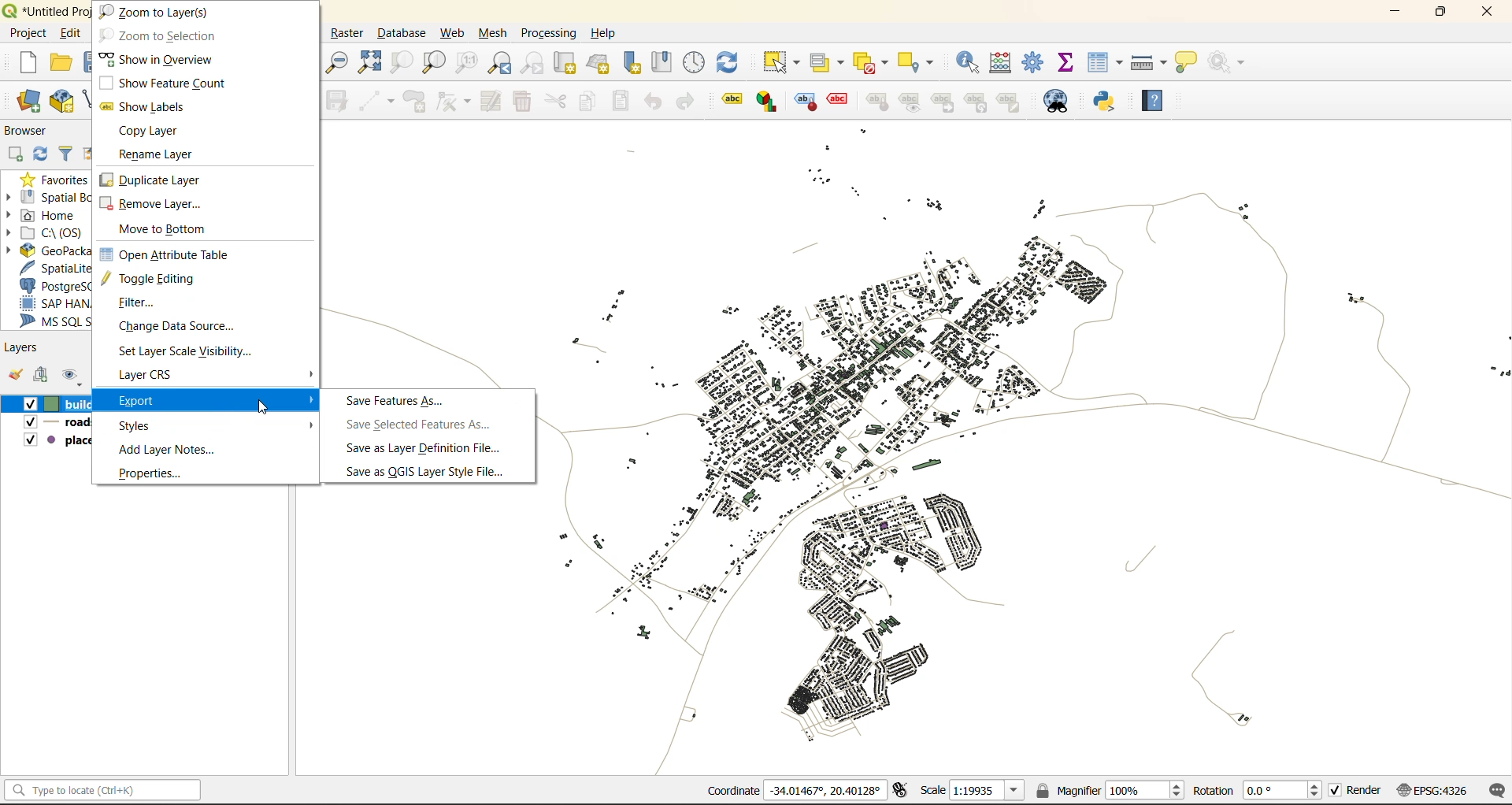  I want to click on maximize, so click(1438, 14).